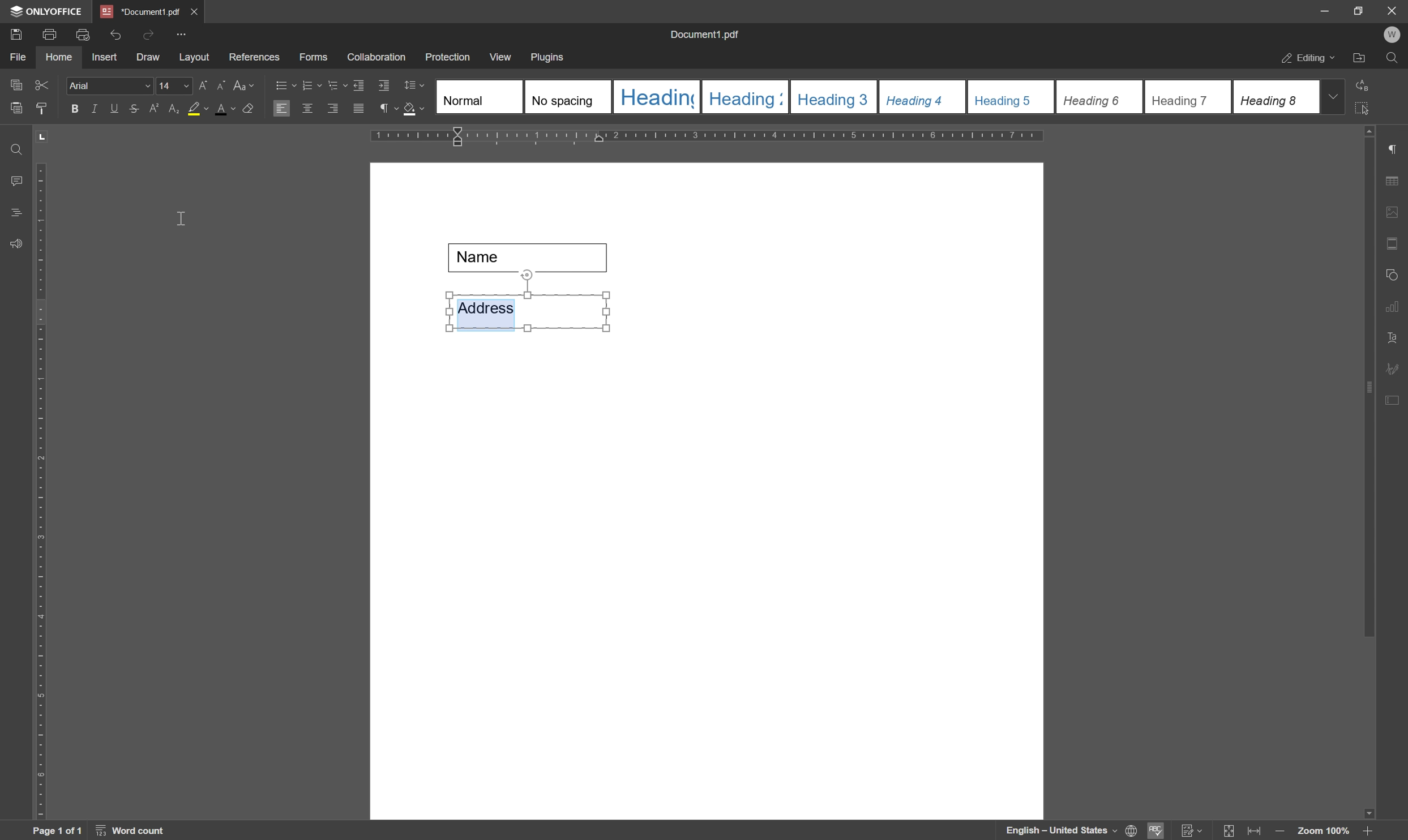 This screenshot has height=840, width=1408. What do you see at coordinates (40, 488) in the screenshot?
I see `ruler` at bounding box center [40, 488].